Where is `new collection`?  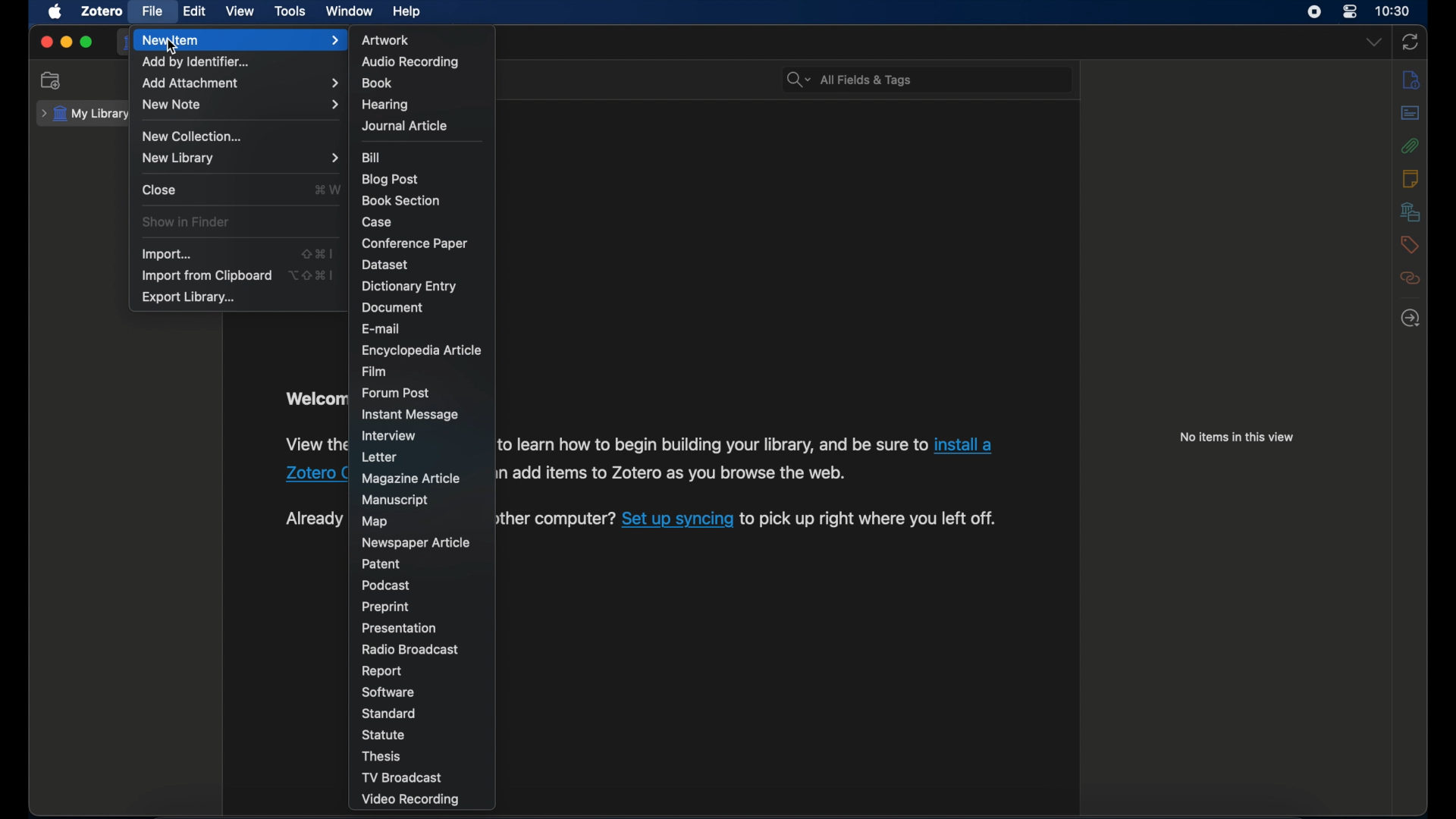 new collection is located at coordinates (51, 80).